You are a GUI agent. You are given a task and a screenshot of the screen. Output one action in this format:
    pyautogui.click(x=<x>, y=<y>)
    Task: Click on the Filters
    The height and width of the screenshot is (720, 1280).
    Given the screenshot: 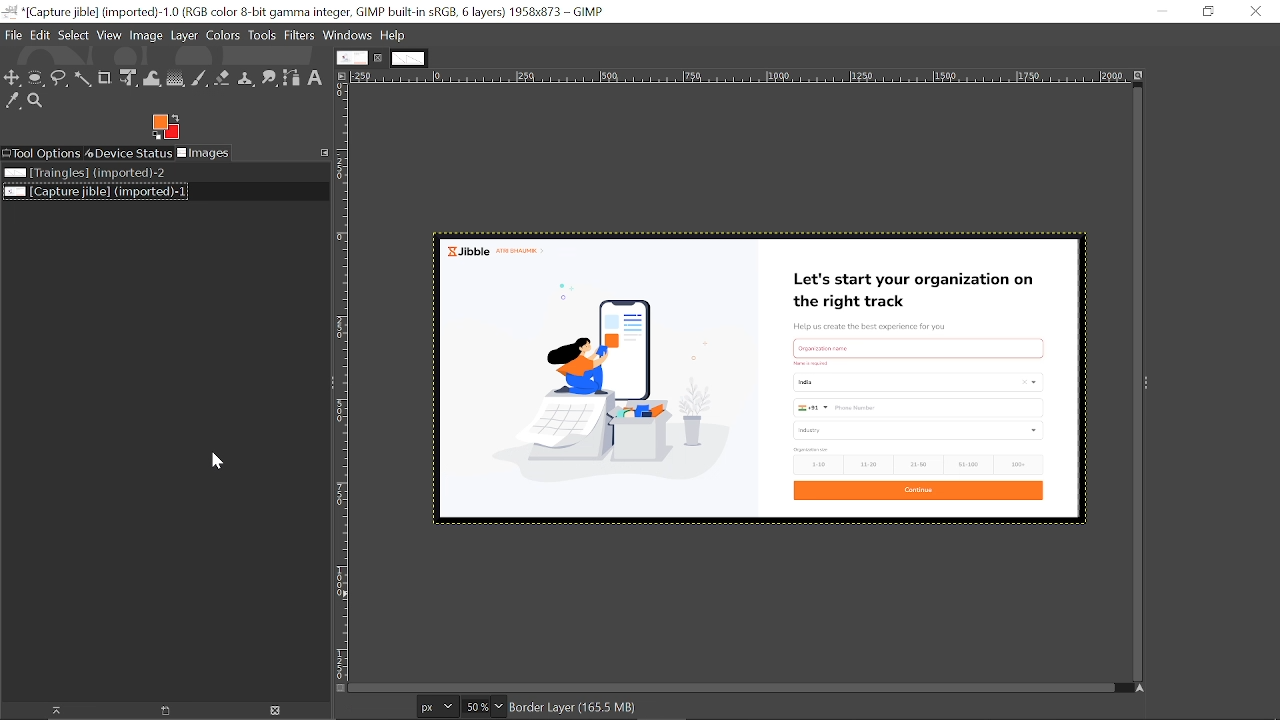 What is the action you would take?
    pyautogui.click(x=300, y=35)
    